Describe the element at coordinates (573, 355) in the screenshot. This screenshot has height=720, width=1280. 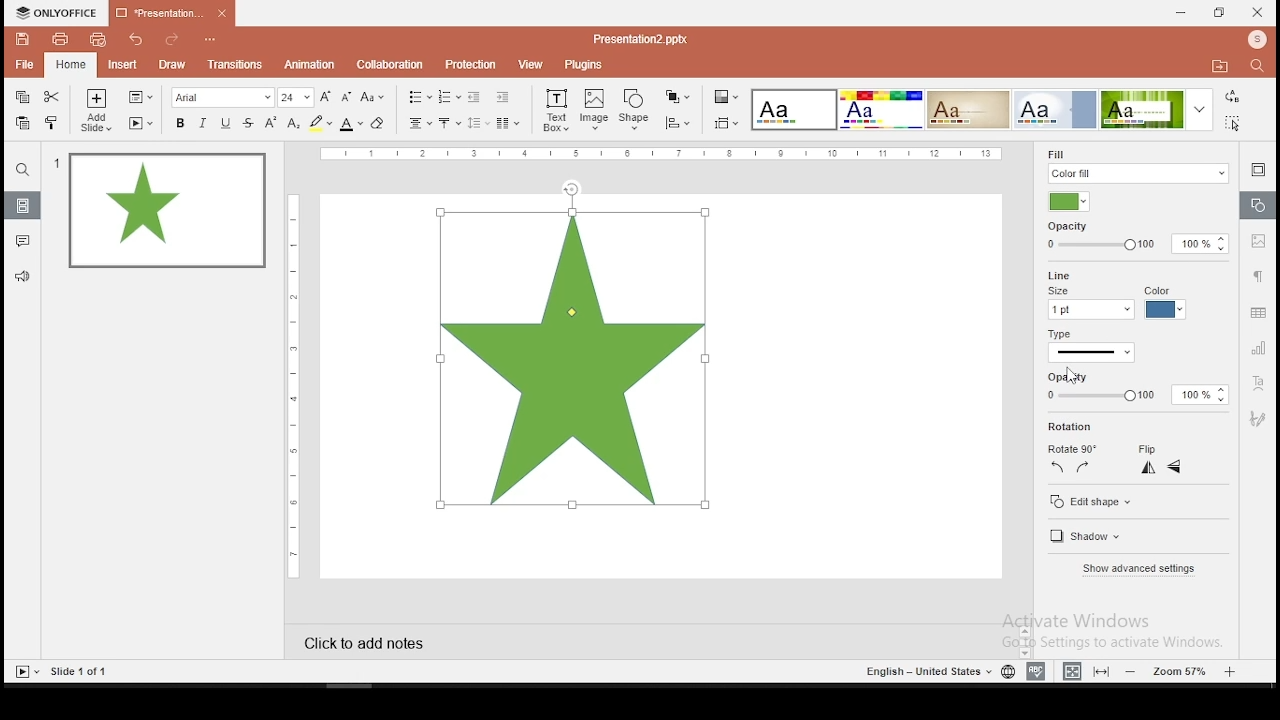
I see `shape` at that location.